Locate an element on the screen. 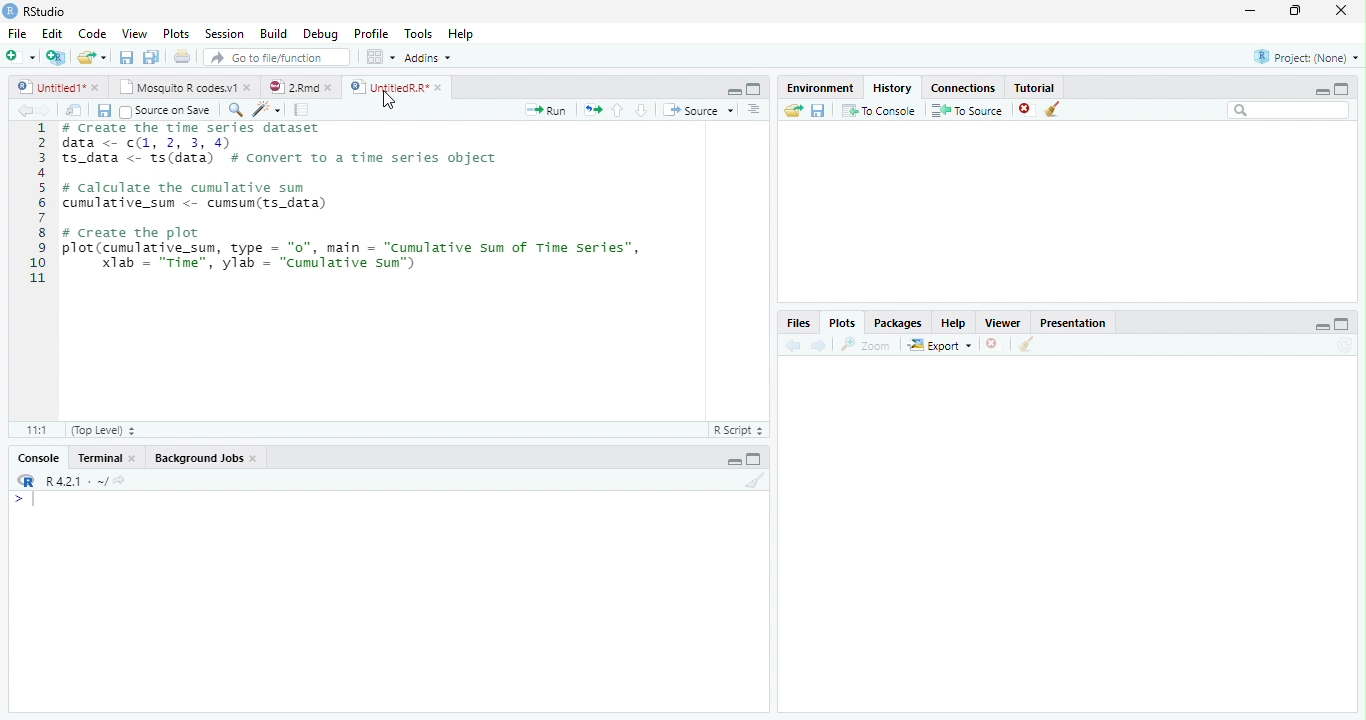 The image size is (1366, 720). Delete is located at coordinates (1023, 108).